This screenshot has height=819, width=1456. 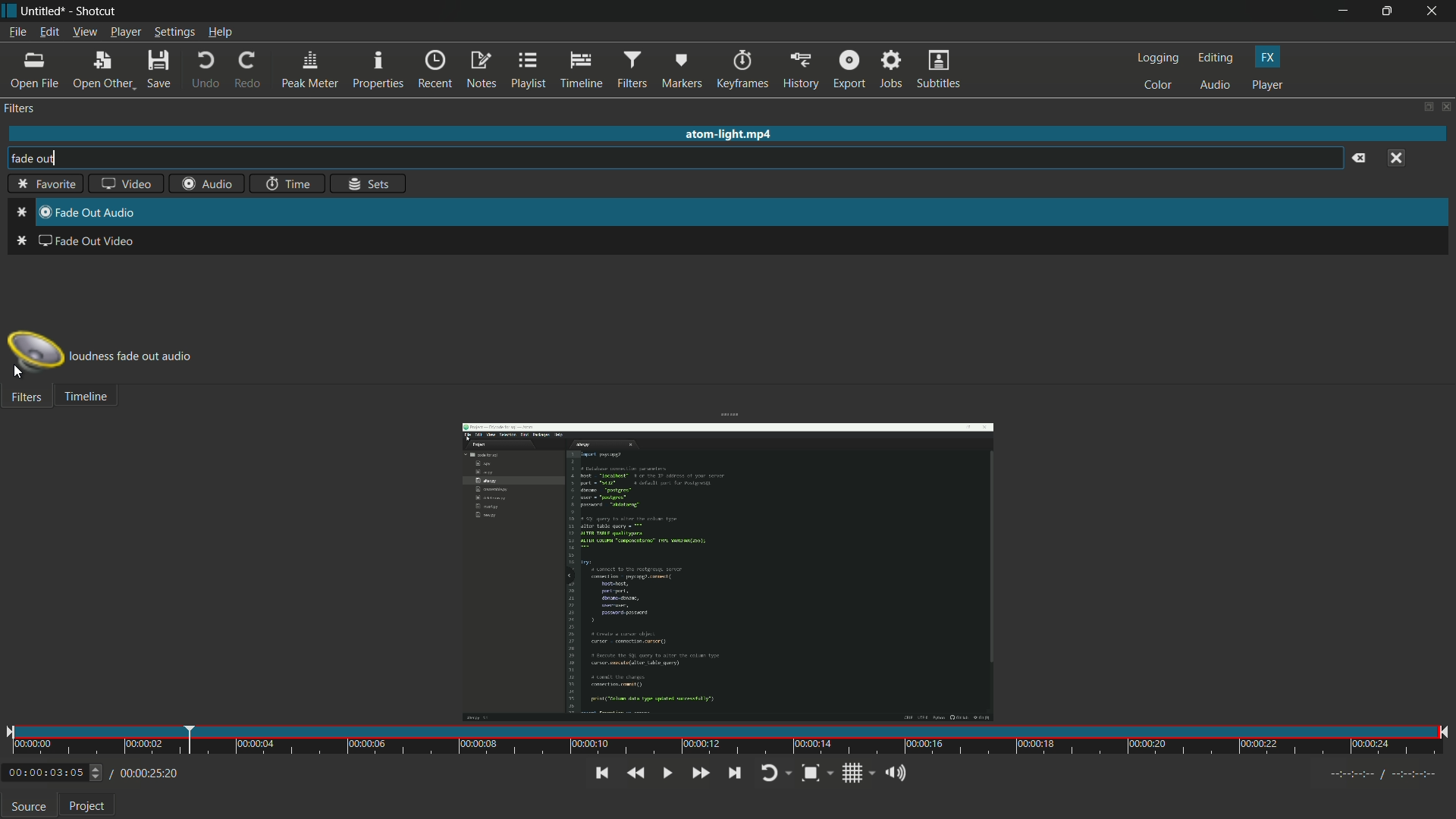 What do you see at coordinates (36, 353) in the screenshot?
I see `subwoofer` at bounding box center [36, 353].